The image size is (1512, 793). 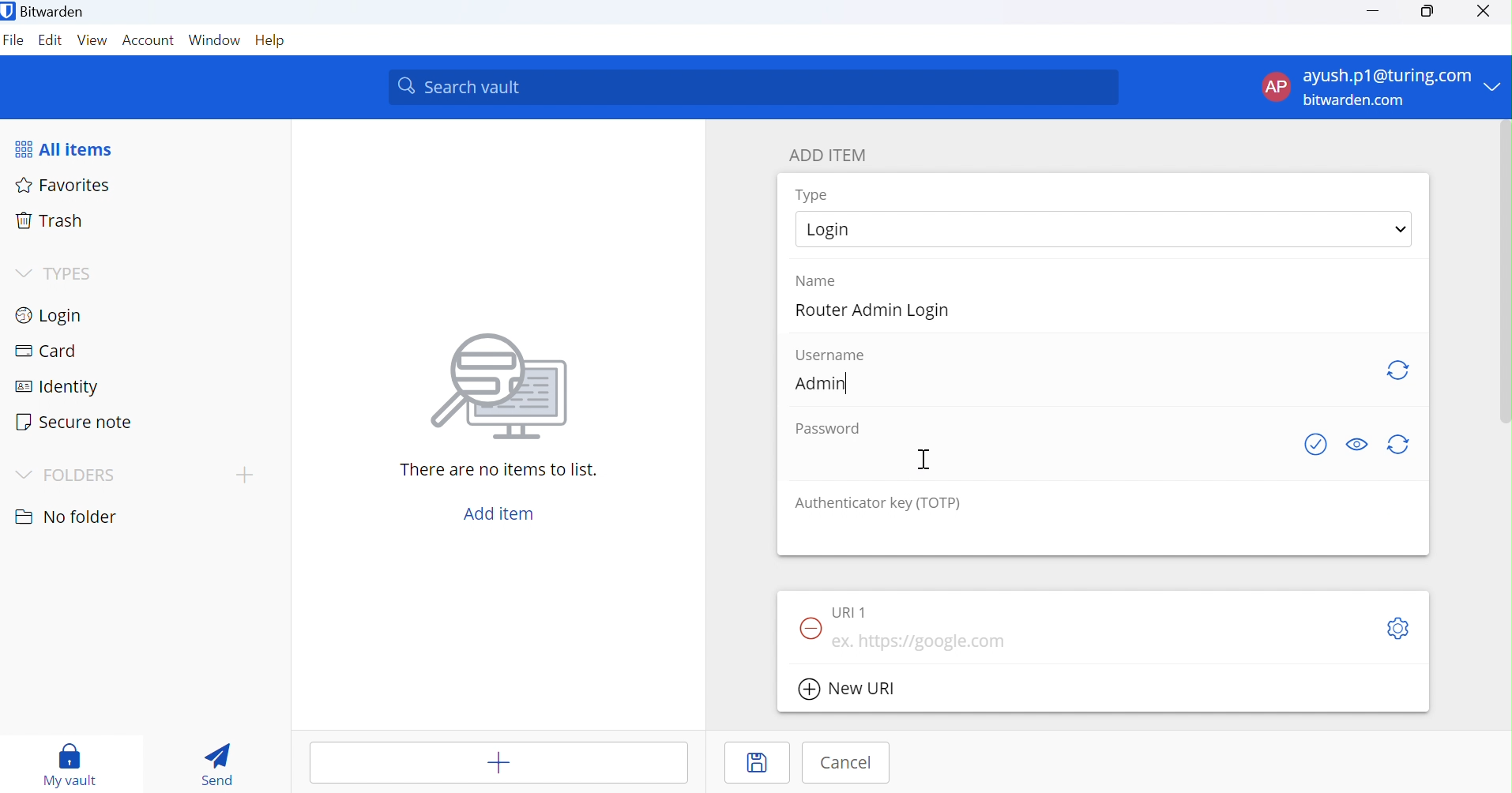 I want to click on ADD ITEM, so click(x=834, y=155).